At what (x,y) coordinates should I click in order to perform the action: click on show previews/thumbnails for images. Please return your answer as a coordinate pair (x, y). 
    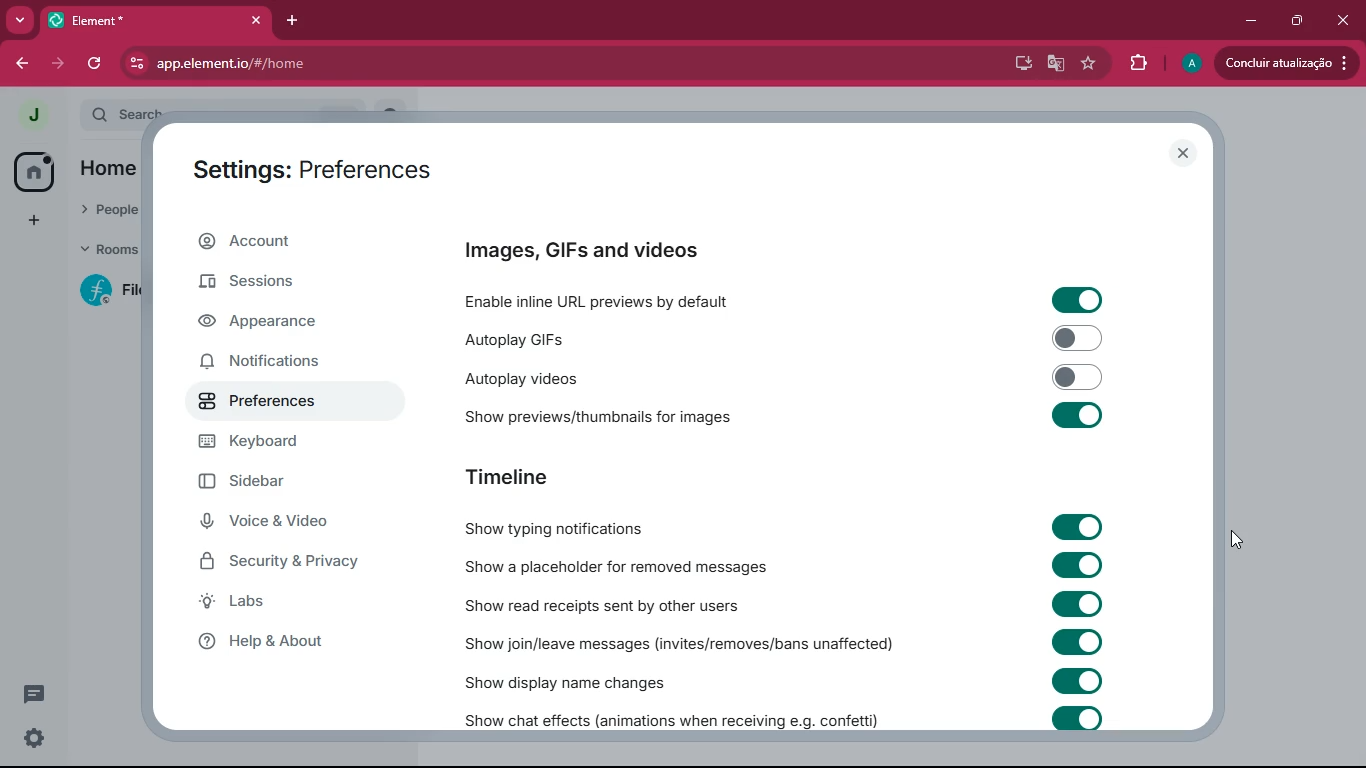
    Looking at the image, I should click on (608, 415).